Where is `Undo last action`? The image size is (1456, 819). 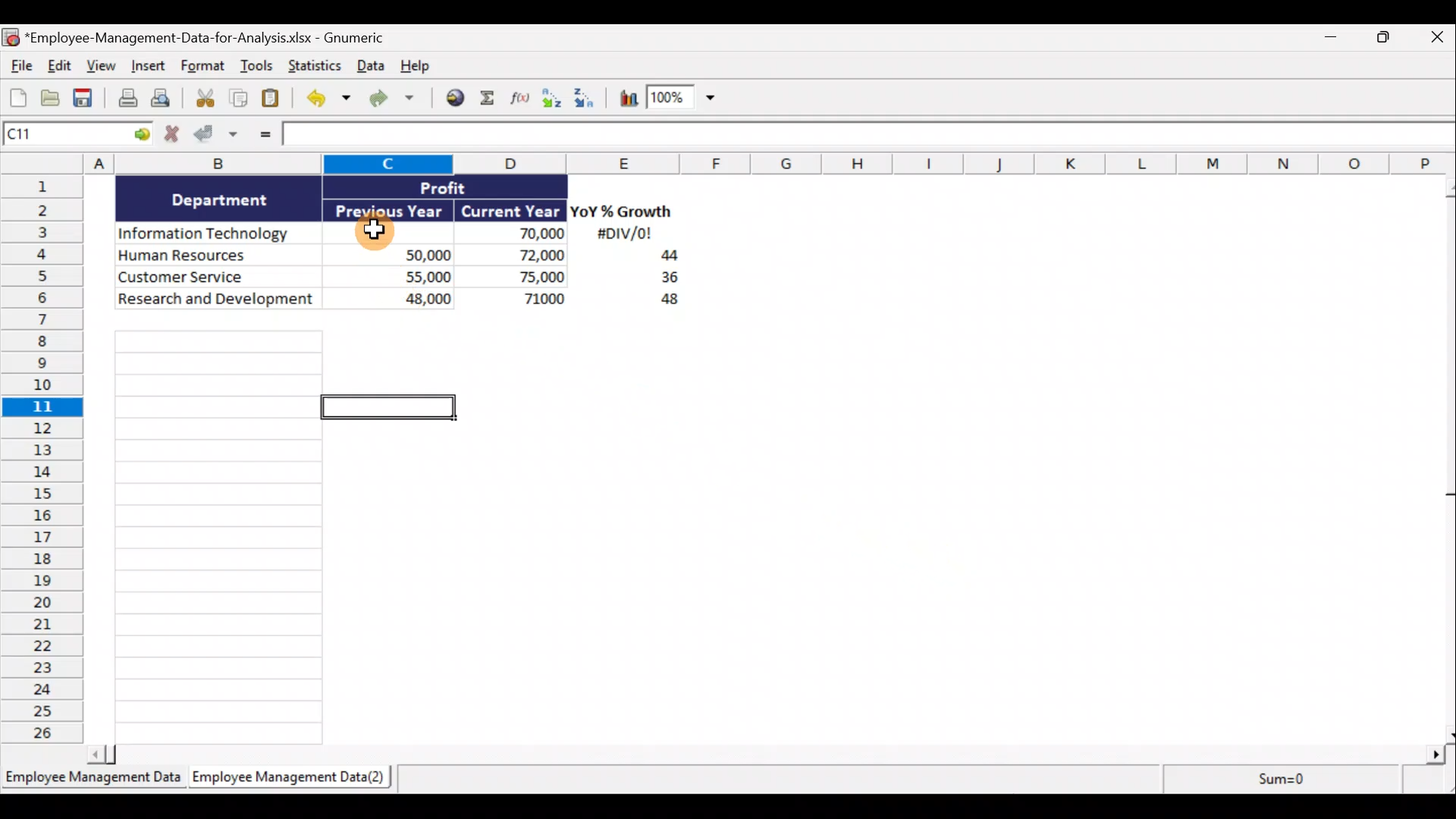
Undo last action is located at coordinates (331, 99).